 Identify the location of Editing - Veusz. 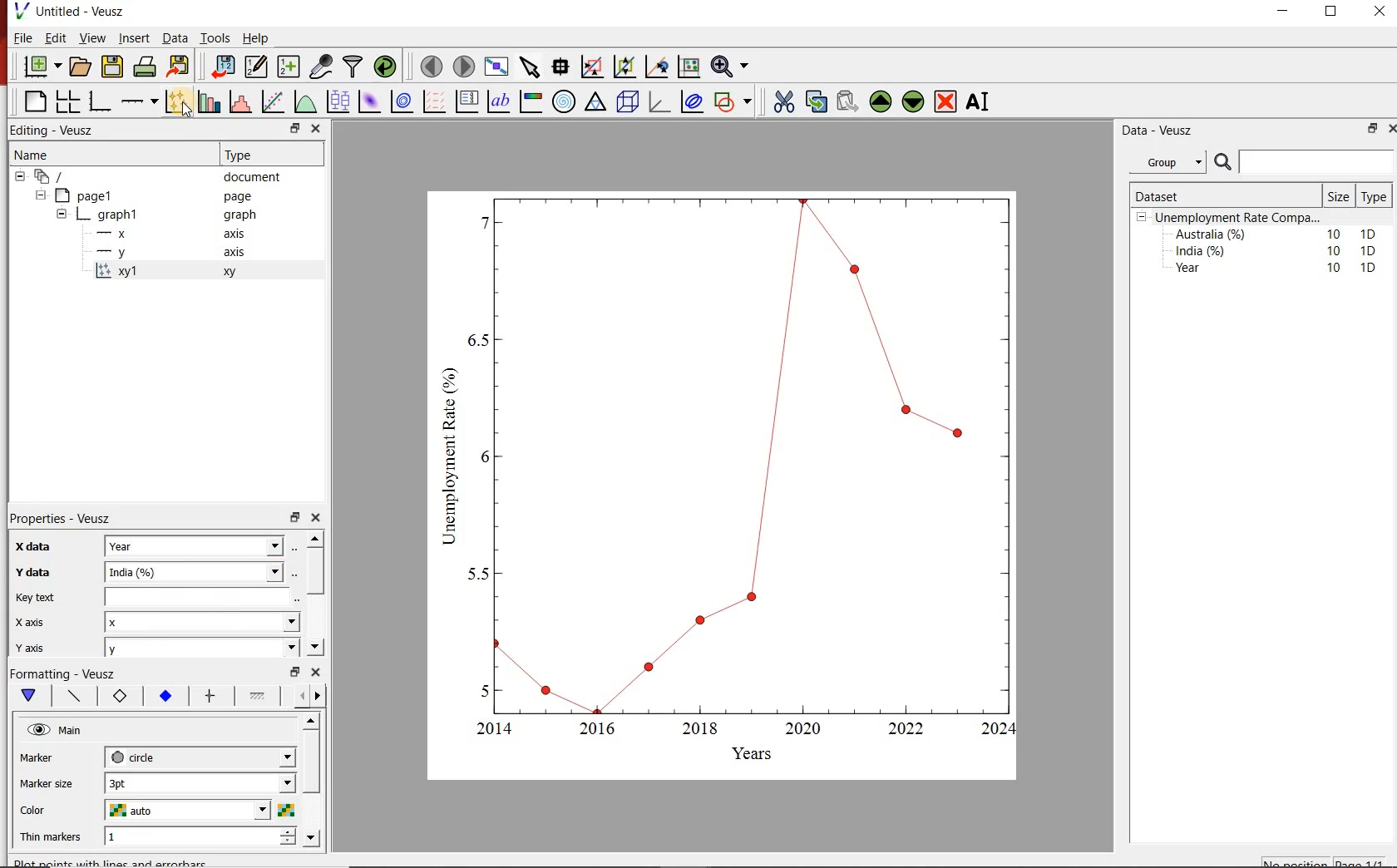
(55, 129).